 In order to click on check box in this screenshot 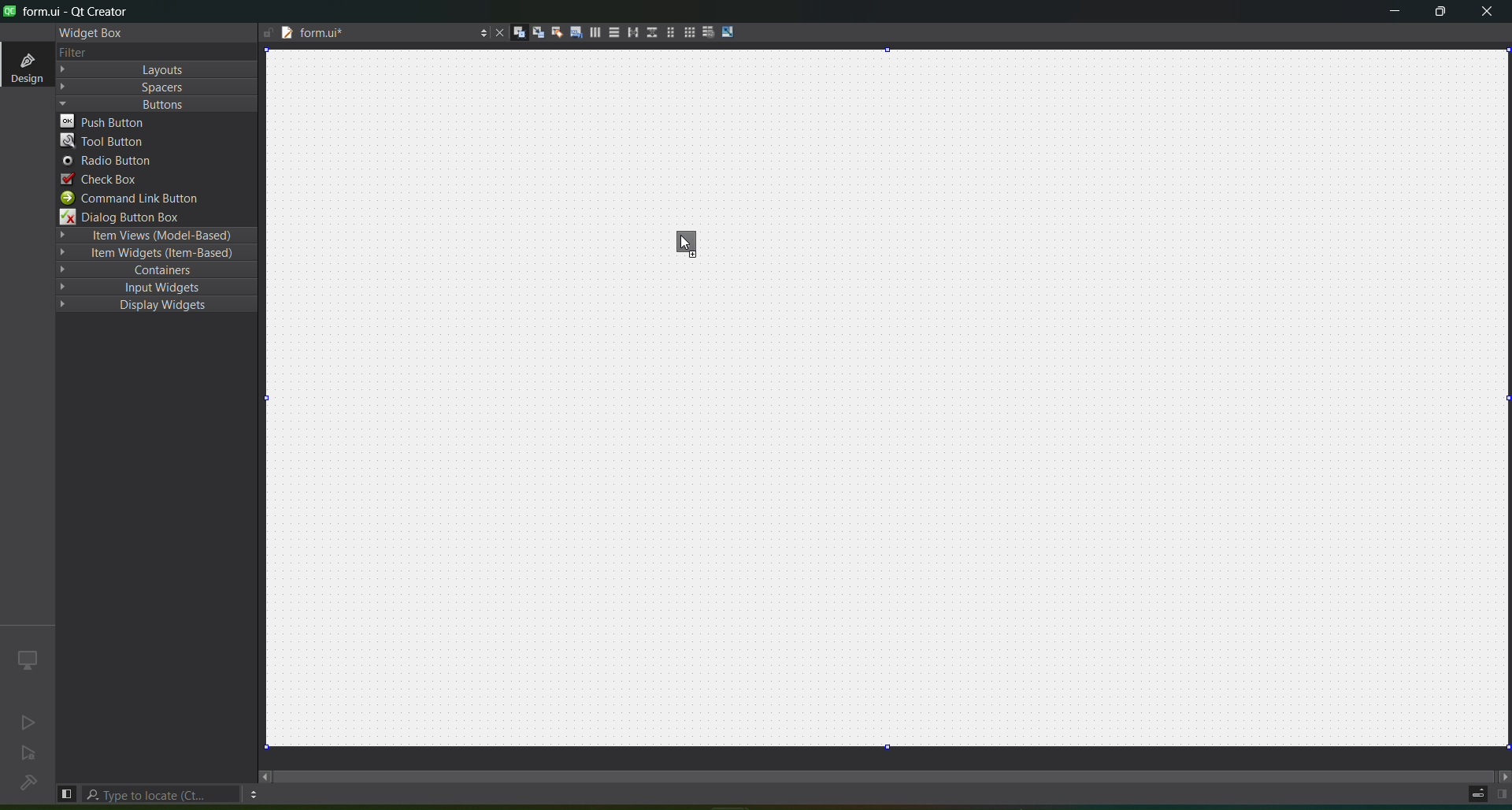, I will do `click(151, 180)`.